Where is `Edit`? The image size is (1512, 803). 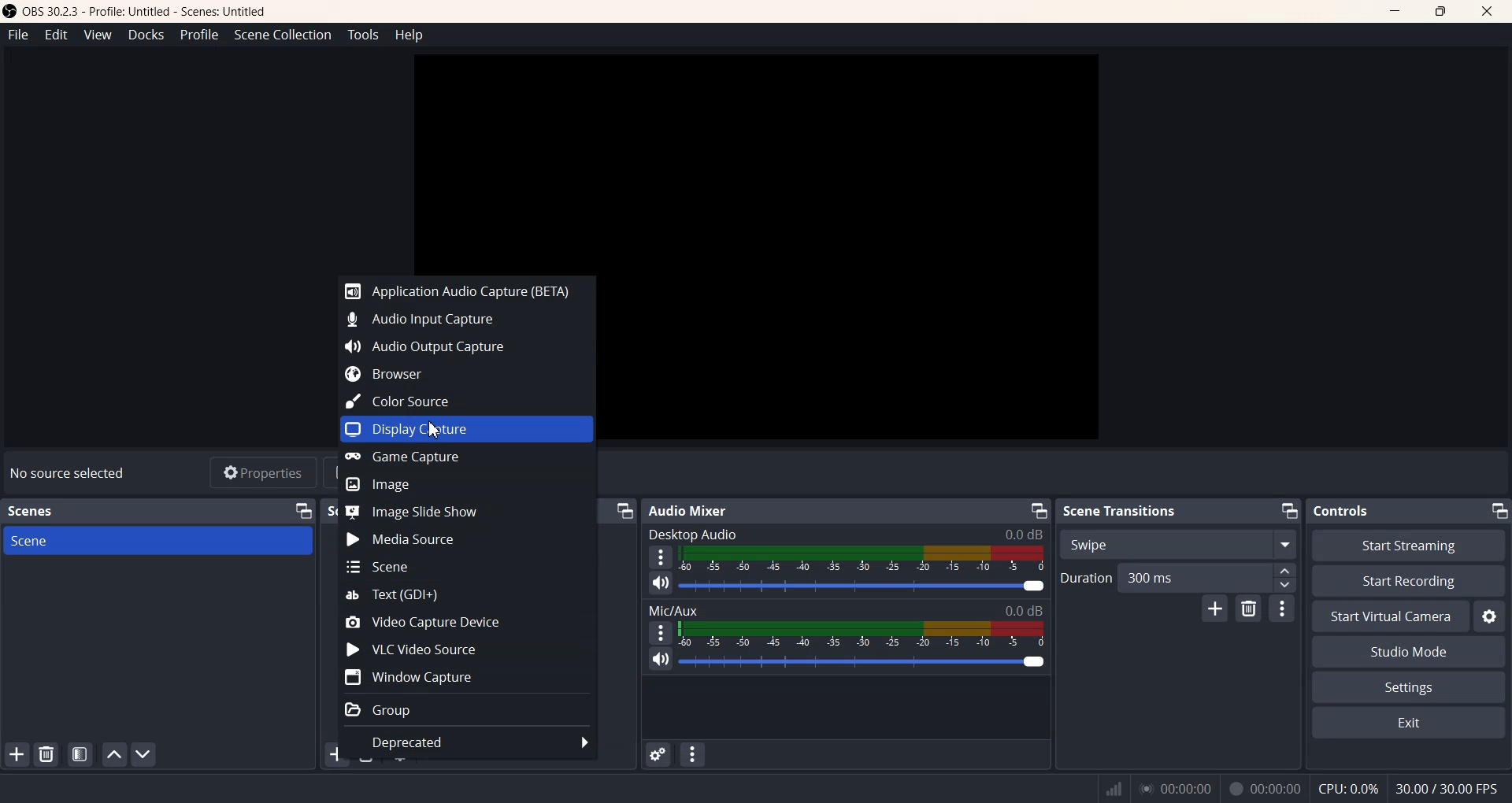 Edit is located at coordinates (56, 35).